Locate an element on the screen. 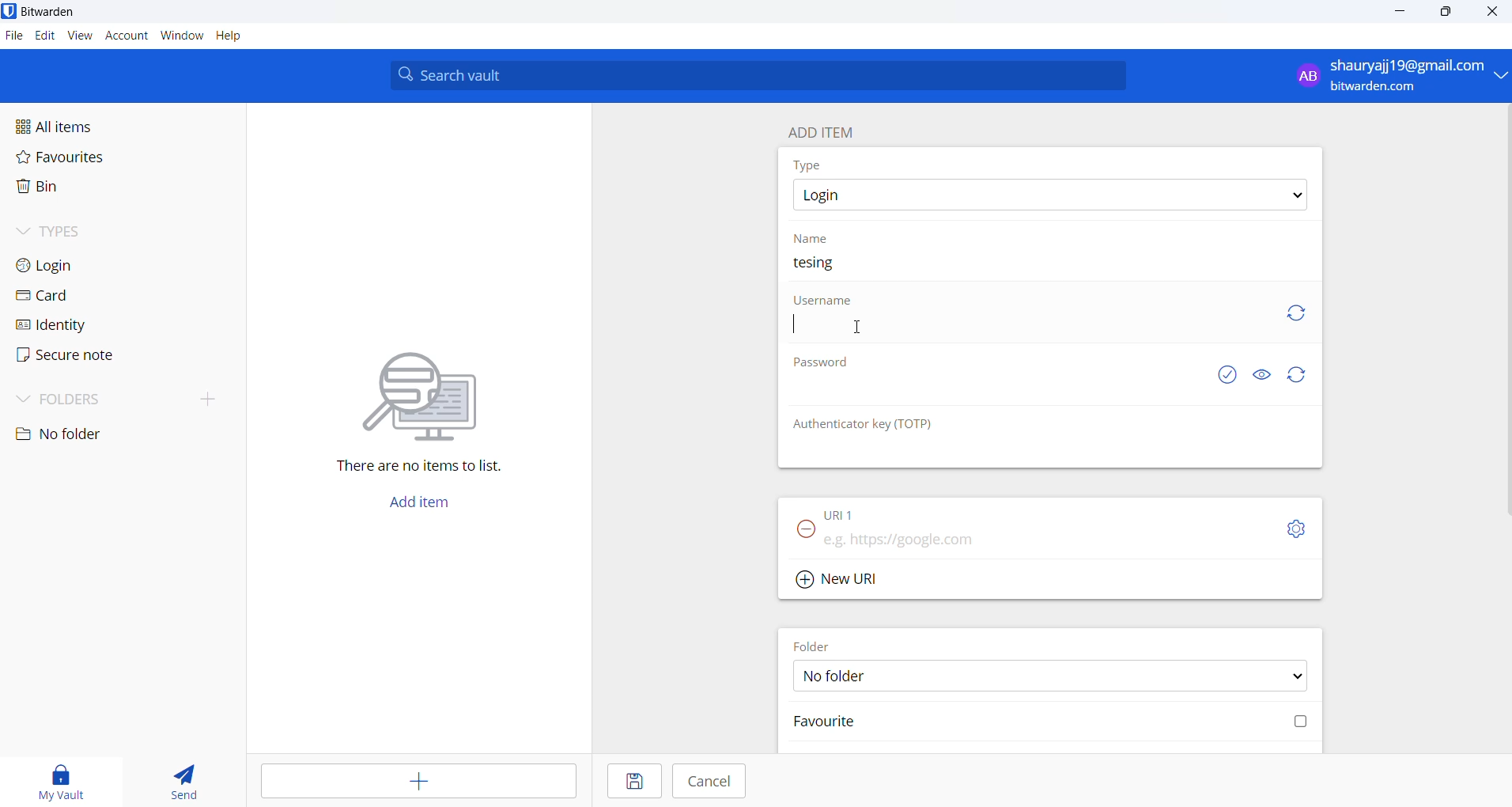 This screenshot has width=1512, height=807. sign in and sign out options is located at coordinates (1397, 76).